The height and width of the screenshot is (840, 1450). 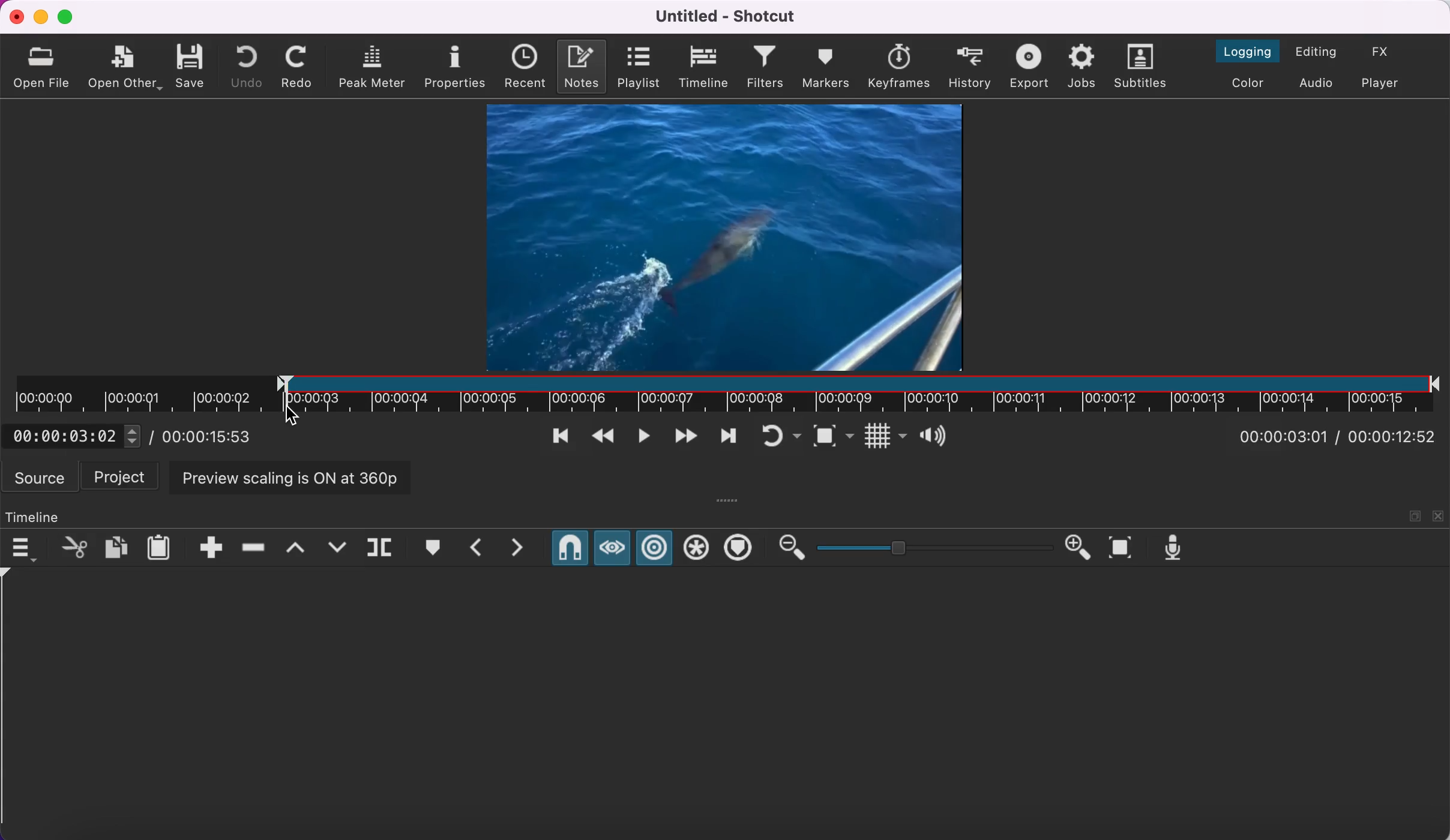 I want to click on peak meter, so click(x=372, y=66).